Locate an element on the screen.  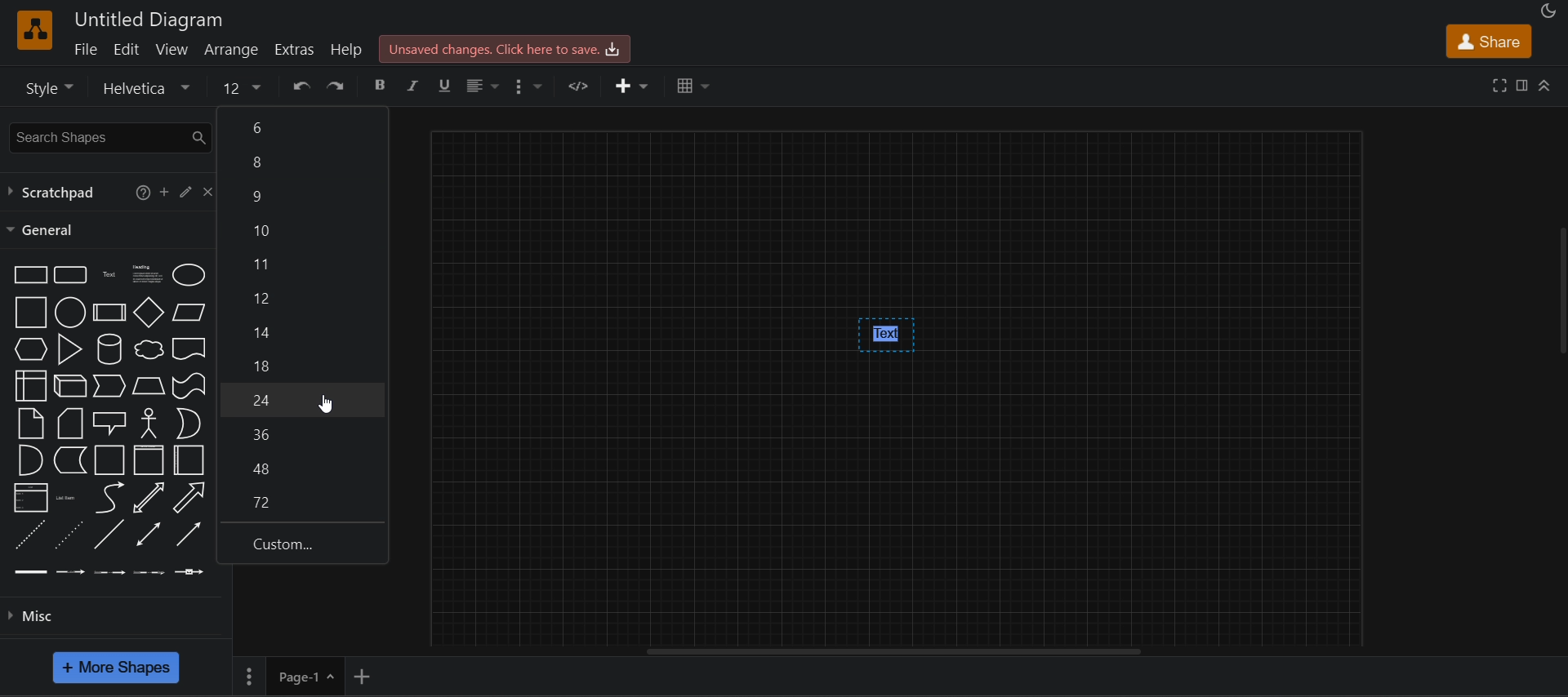
Container is located at coordinates (110, 460).